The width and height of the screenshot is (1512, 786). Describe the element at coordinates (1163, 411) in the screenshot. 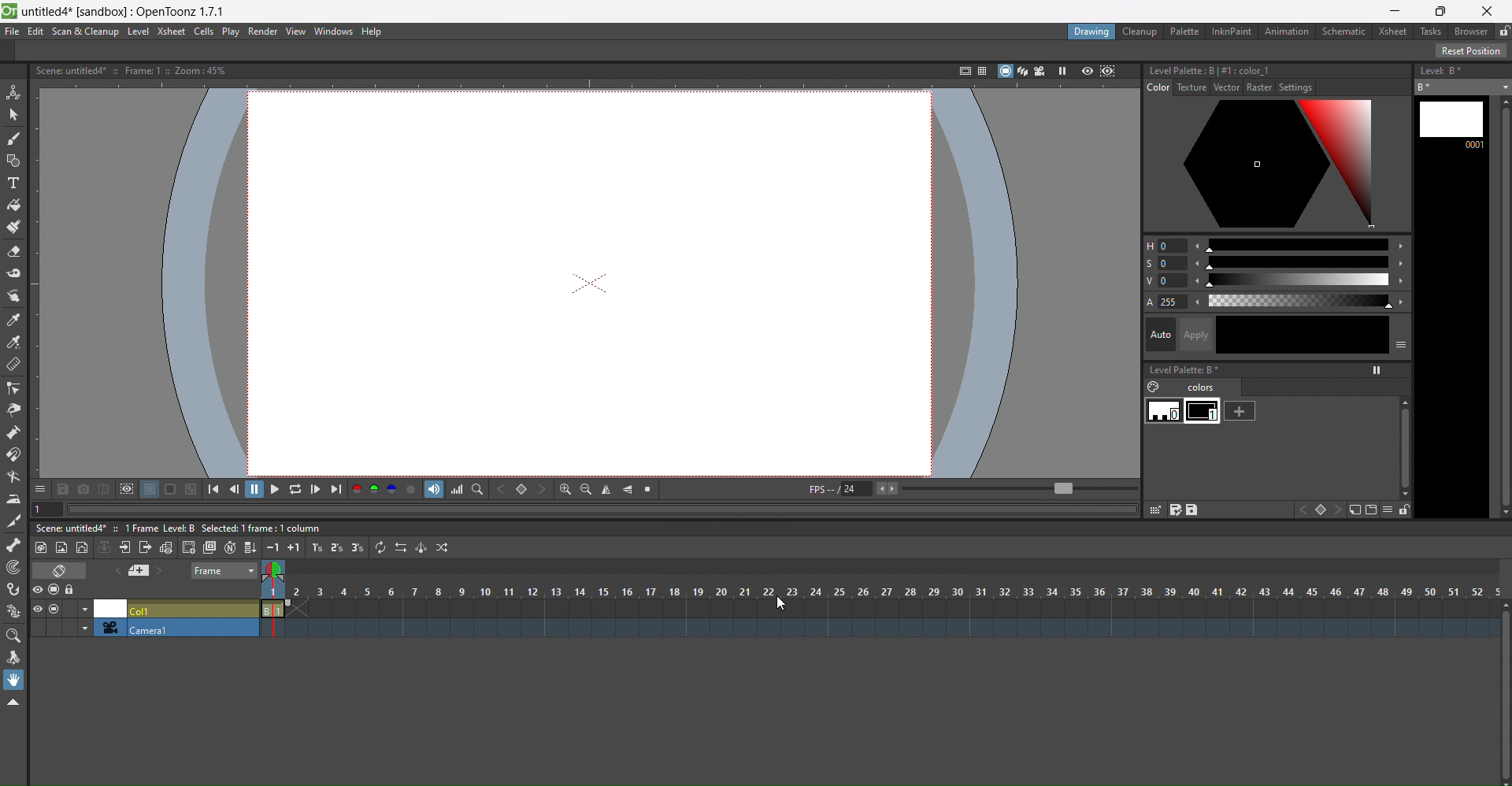

I see `0` at that location.